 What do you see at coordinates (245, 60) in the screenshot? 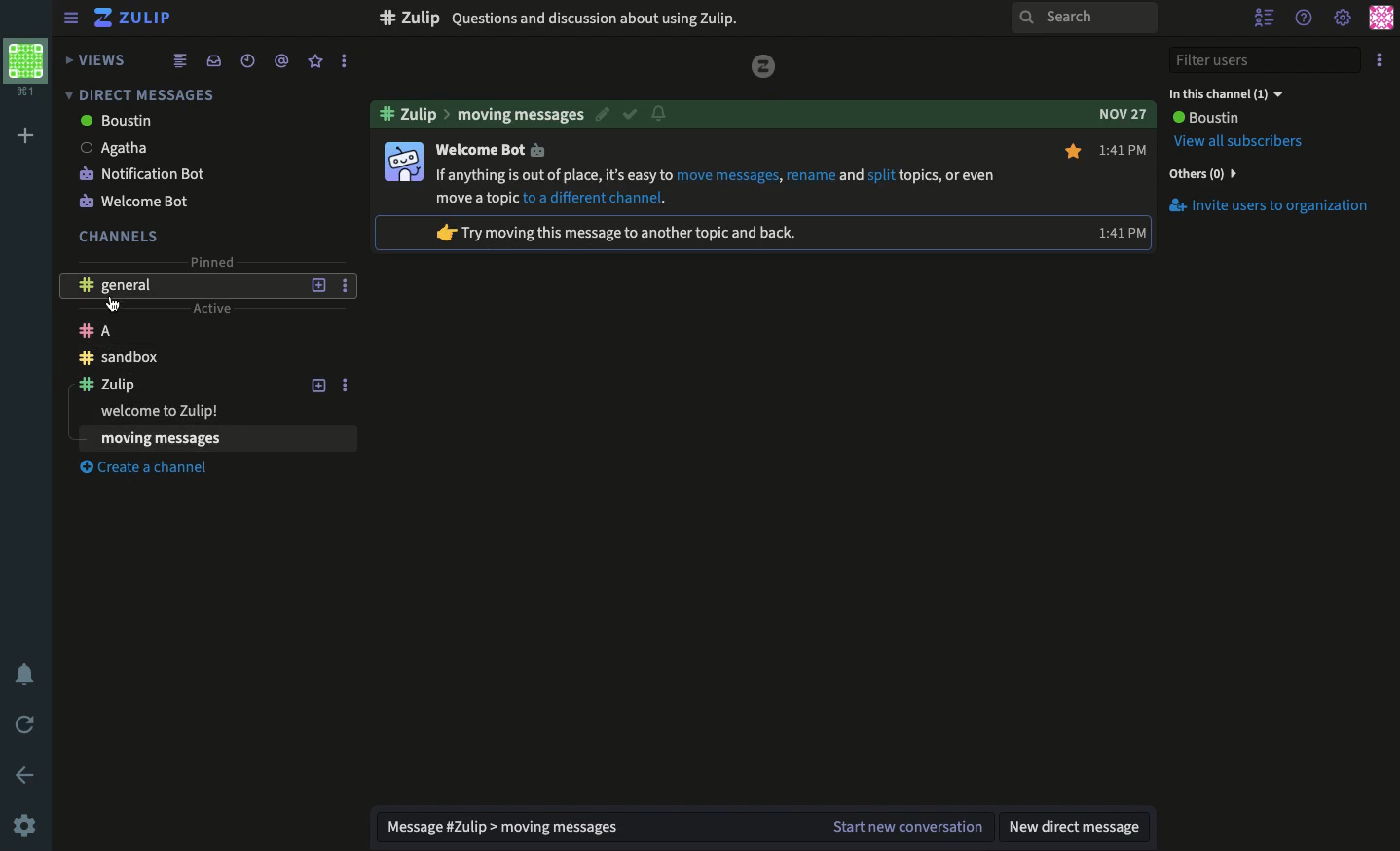
I see `Time` at bounding box center [245, 60].